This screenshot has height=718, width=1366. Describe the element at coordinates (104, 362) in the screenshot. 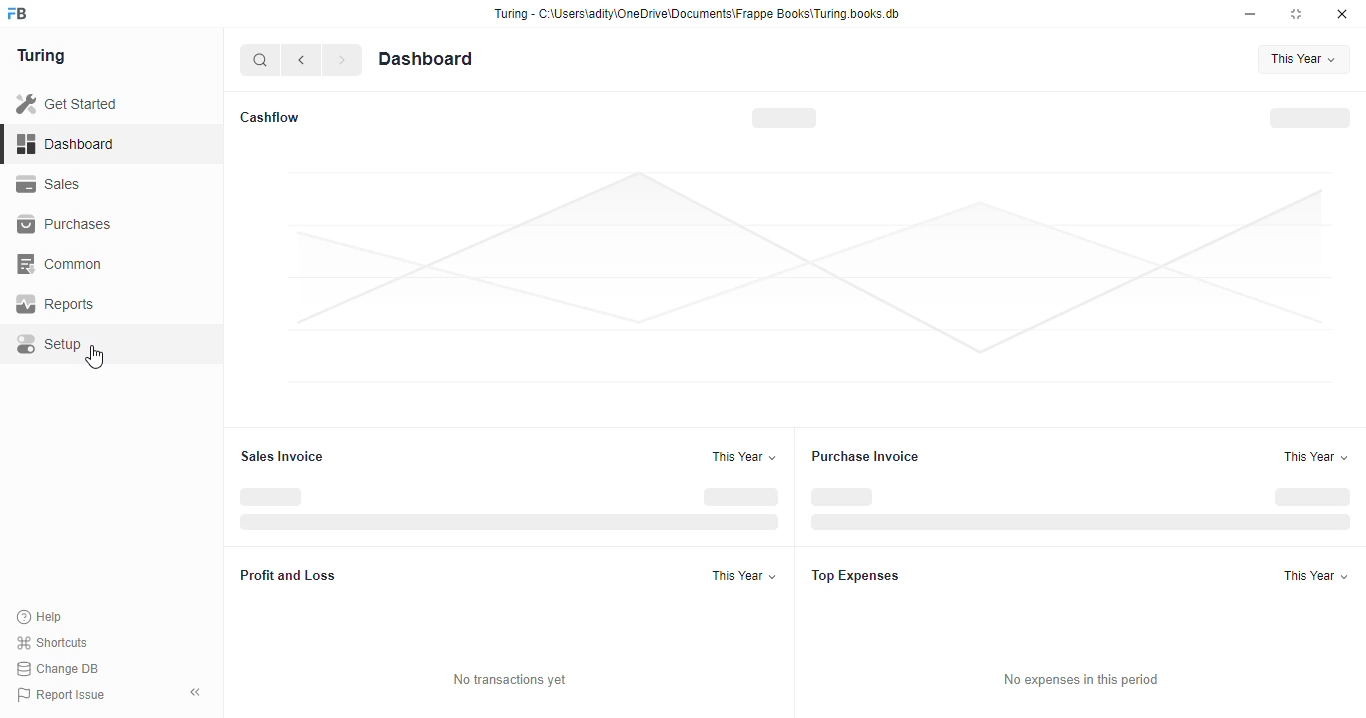

I see `cursor` at that location.